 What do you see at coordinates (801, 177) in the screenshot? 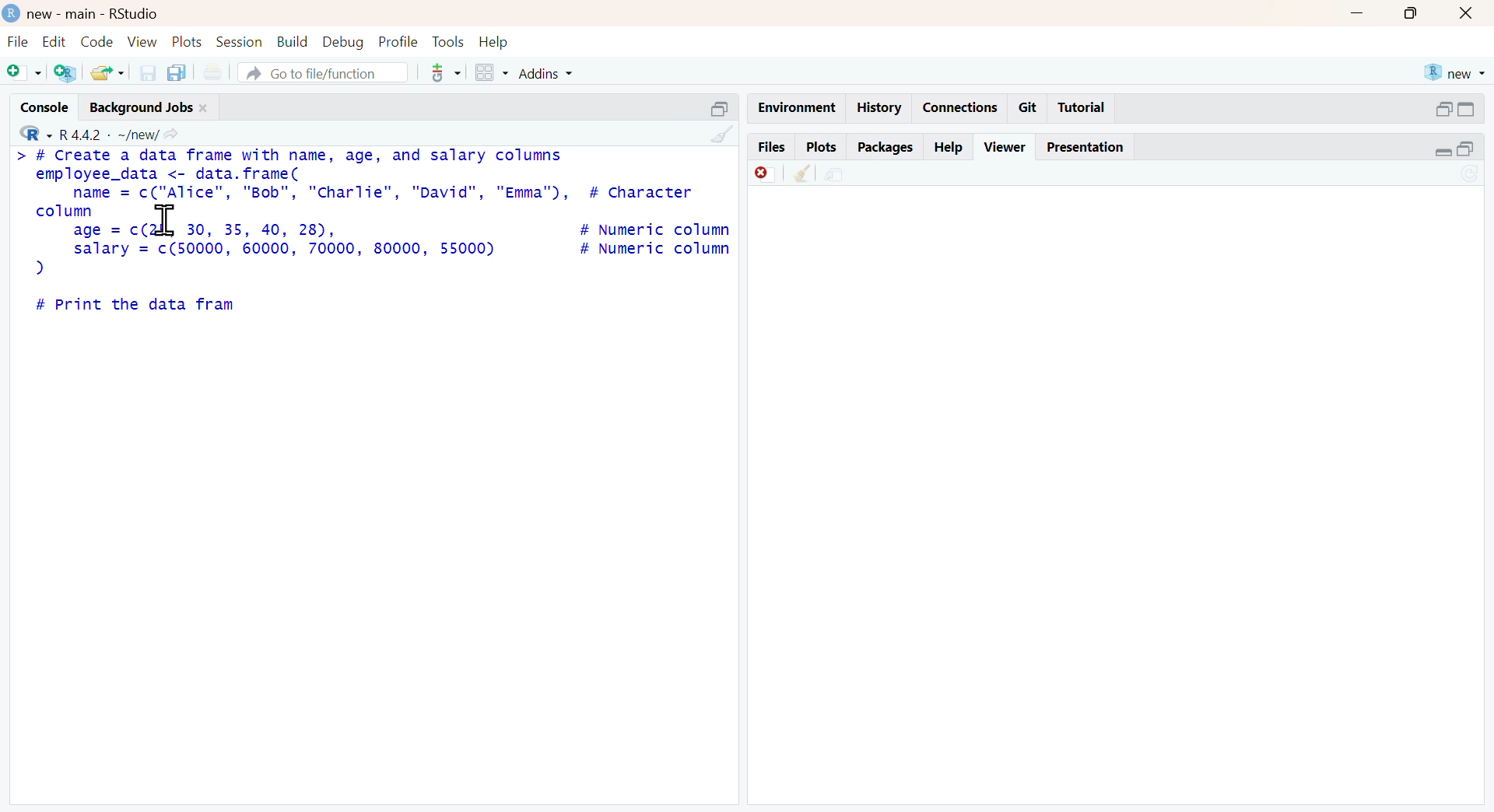
I see `Remove all viewer item` at bounding box center [801, 177].